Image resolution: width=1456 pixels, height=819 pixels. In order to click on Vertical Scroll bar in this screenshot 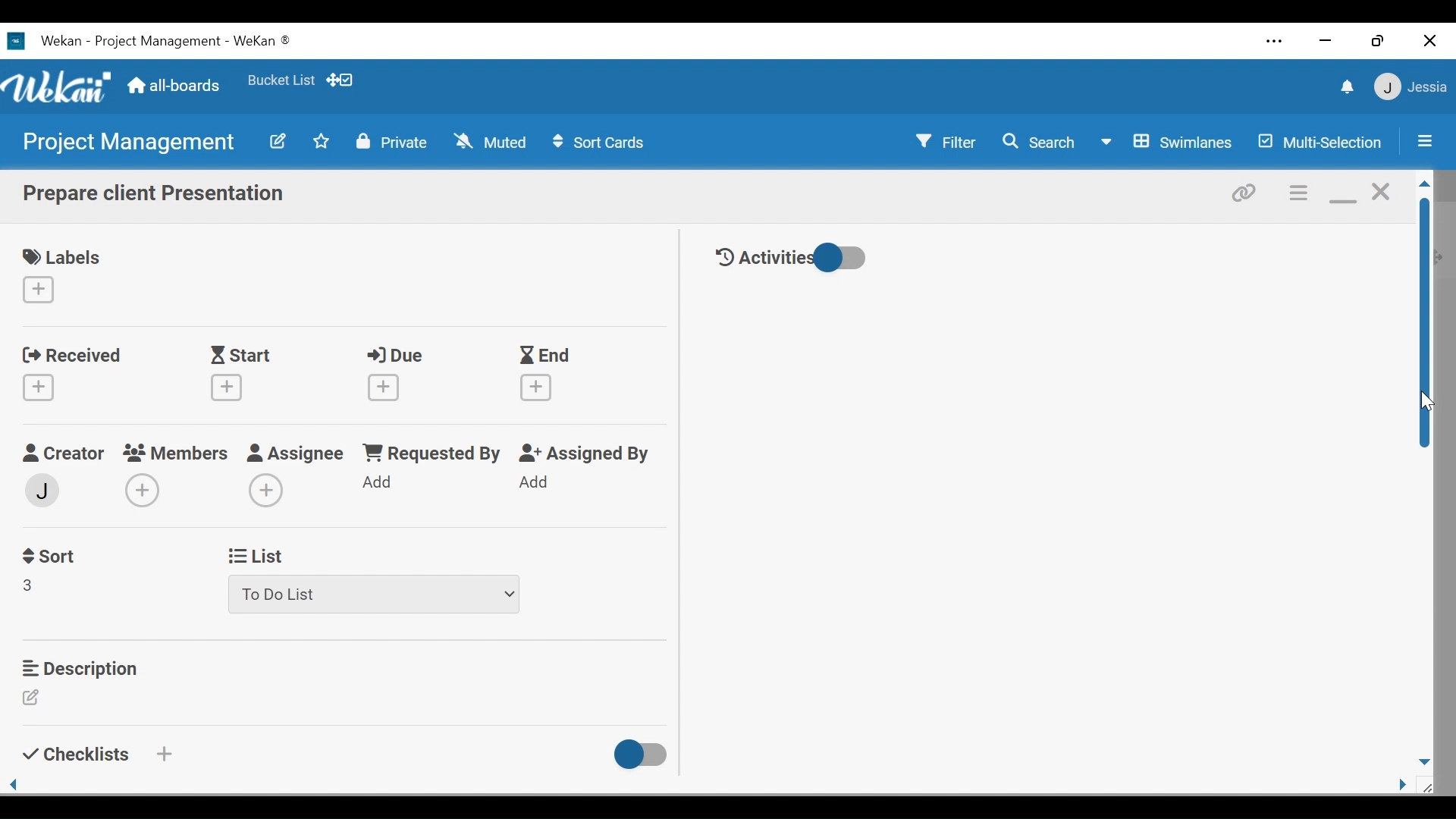, I will do `click(1425, 324)`.